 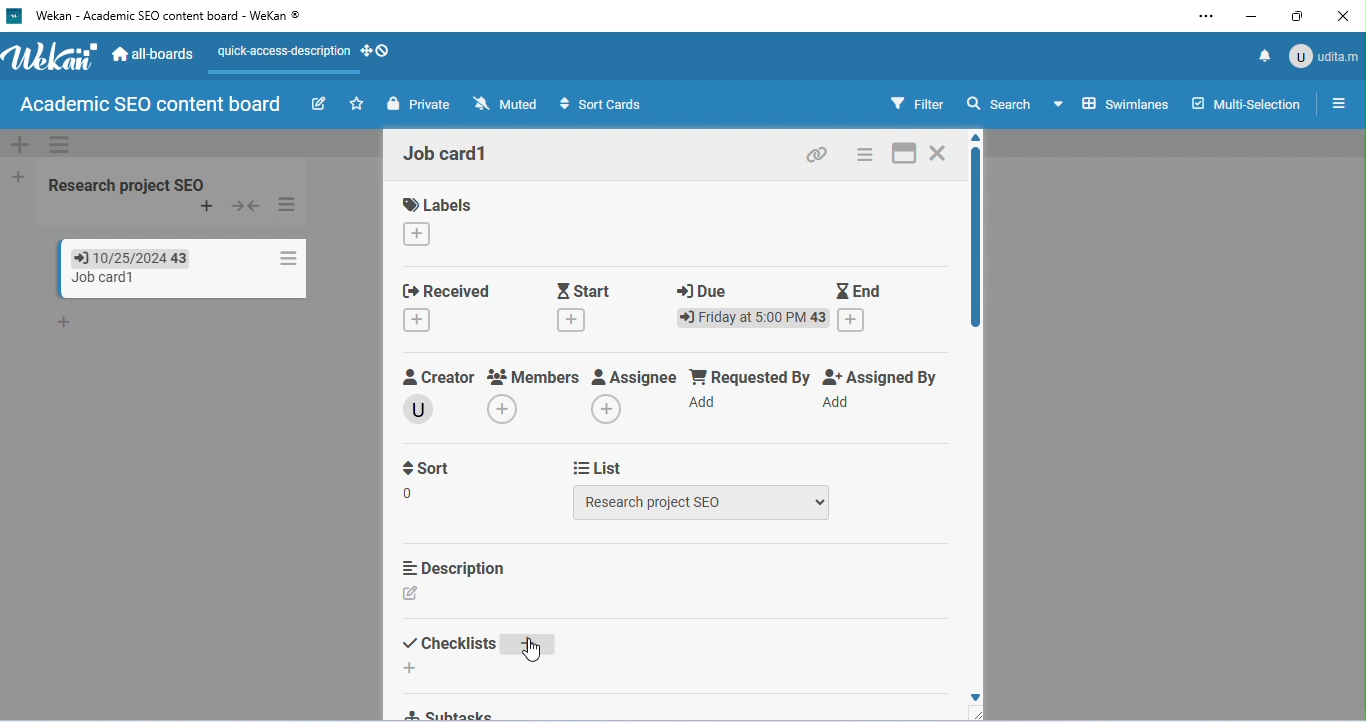 I want to click on title, so click(x=160, y=17).